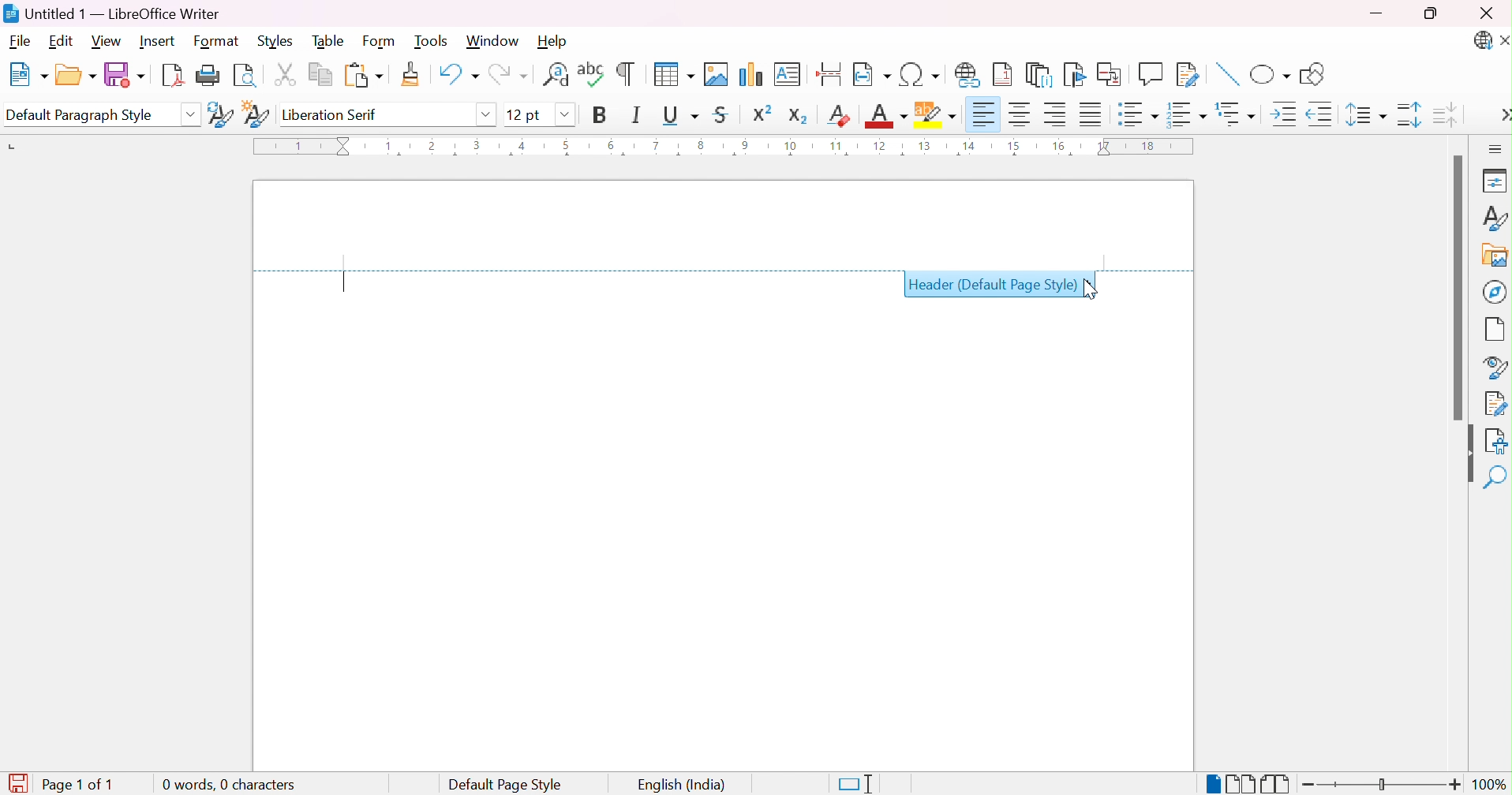  I want to click on Close, so click(1503, 40).